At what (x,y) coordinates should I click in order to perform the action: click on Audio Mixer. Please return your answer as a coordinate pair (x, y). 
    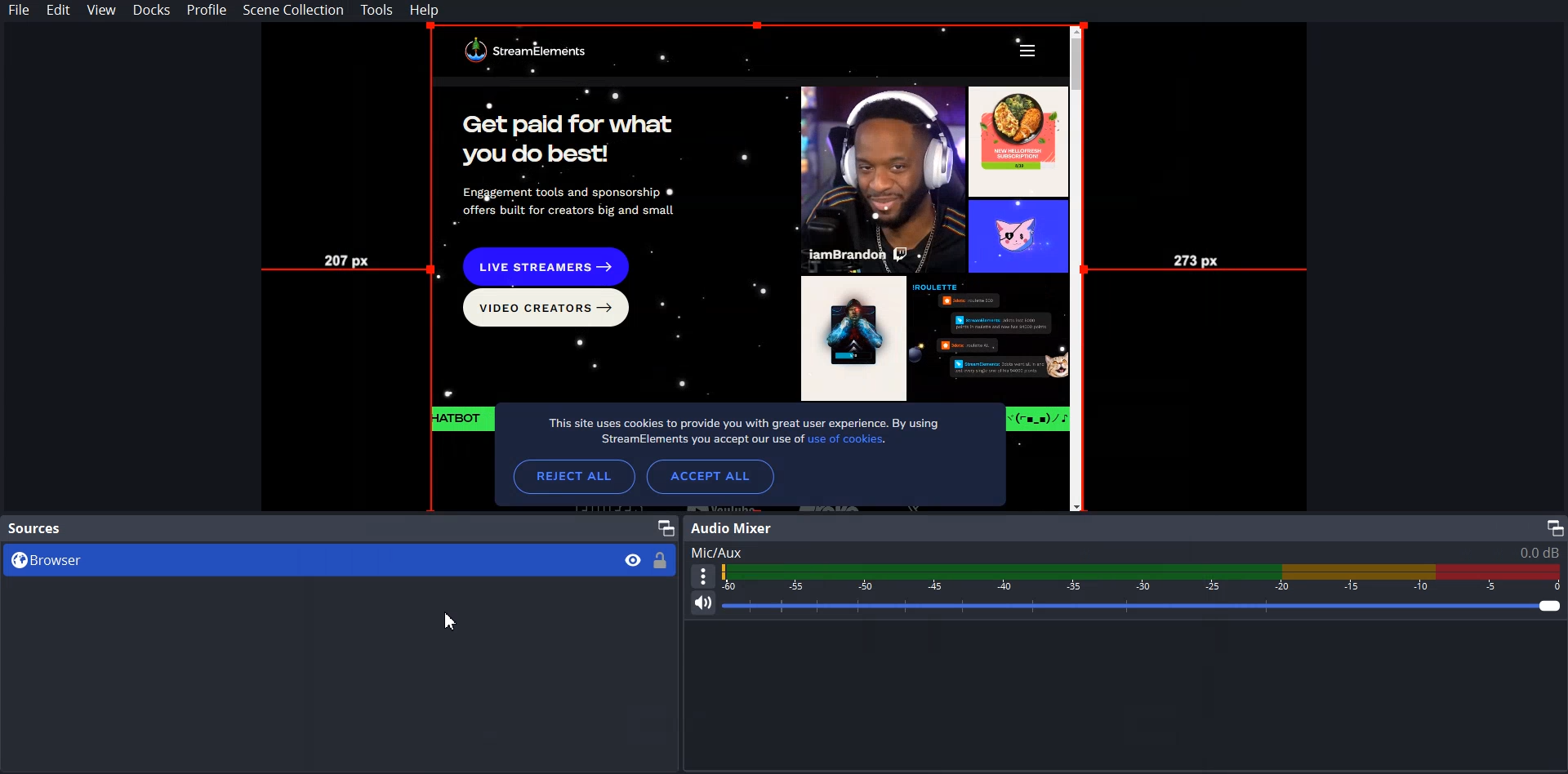
    Looking at the image, I should click on (731, 527).